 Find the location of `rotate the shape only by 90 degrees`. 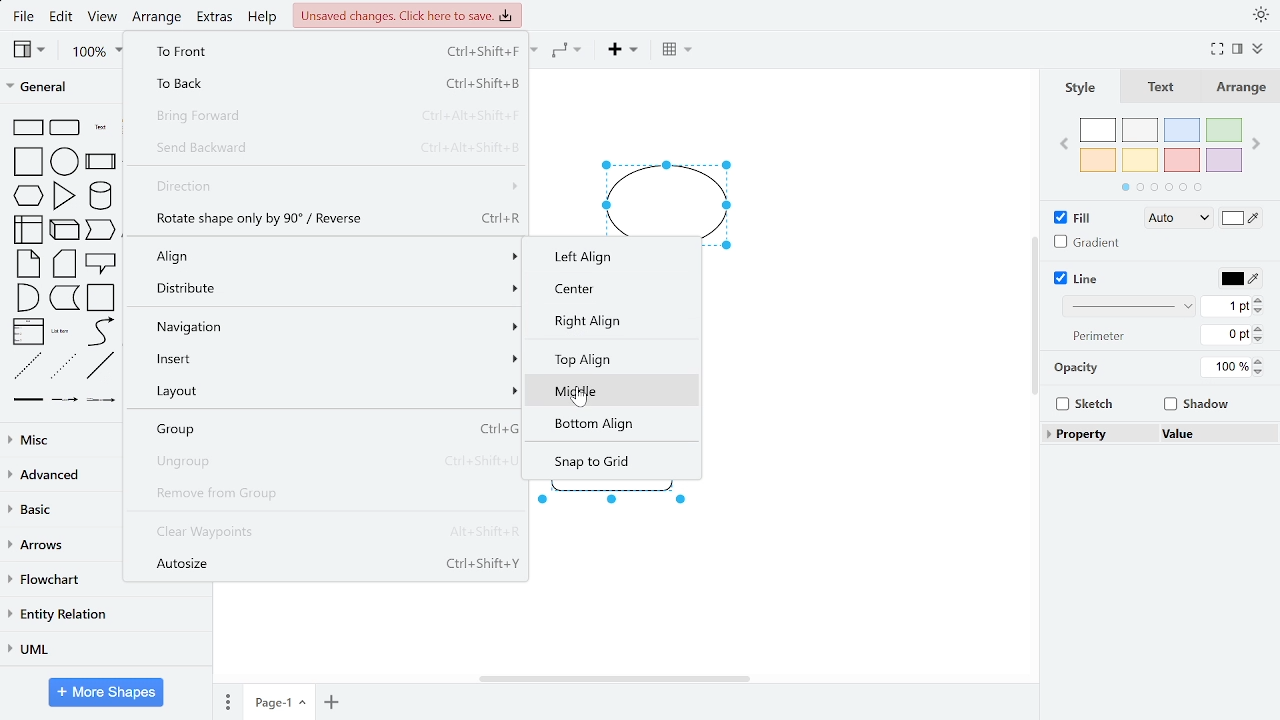

rotate the shape only by 90 degrees is located at coordinates (330, 218).